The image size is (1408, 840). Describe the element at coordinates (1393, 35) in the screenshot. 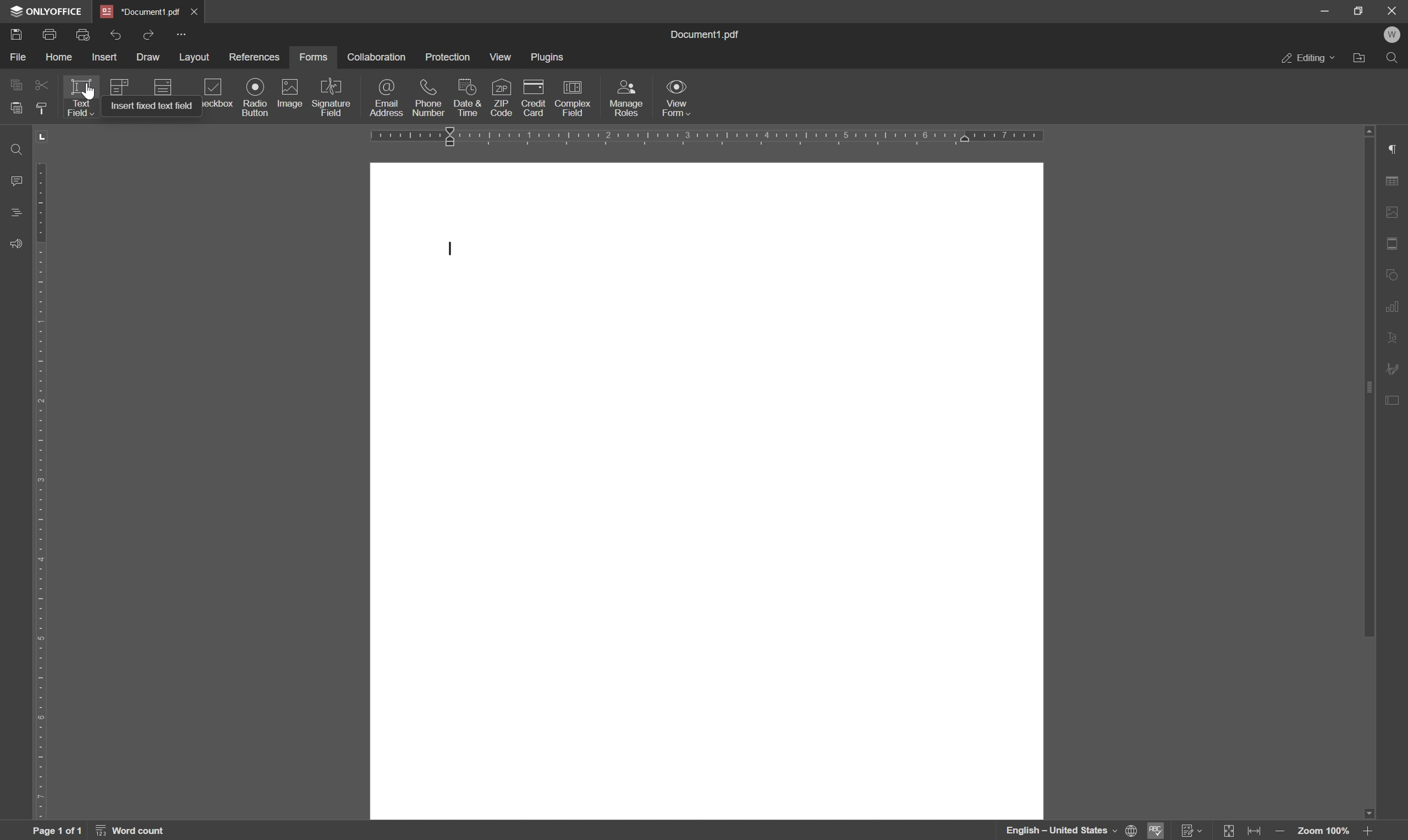

I see `welcome` at that location.